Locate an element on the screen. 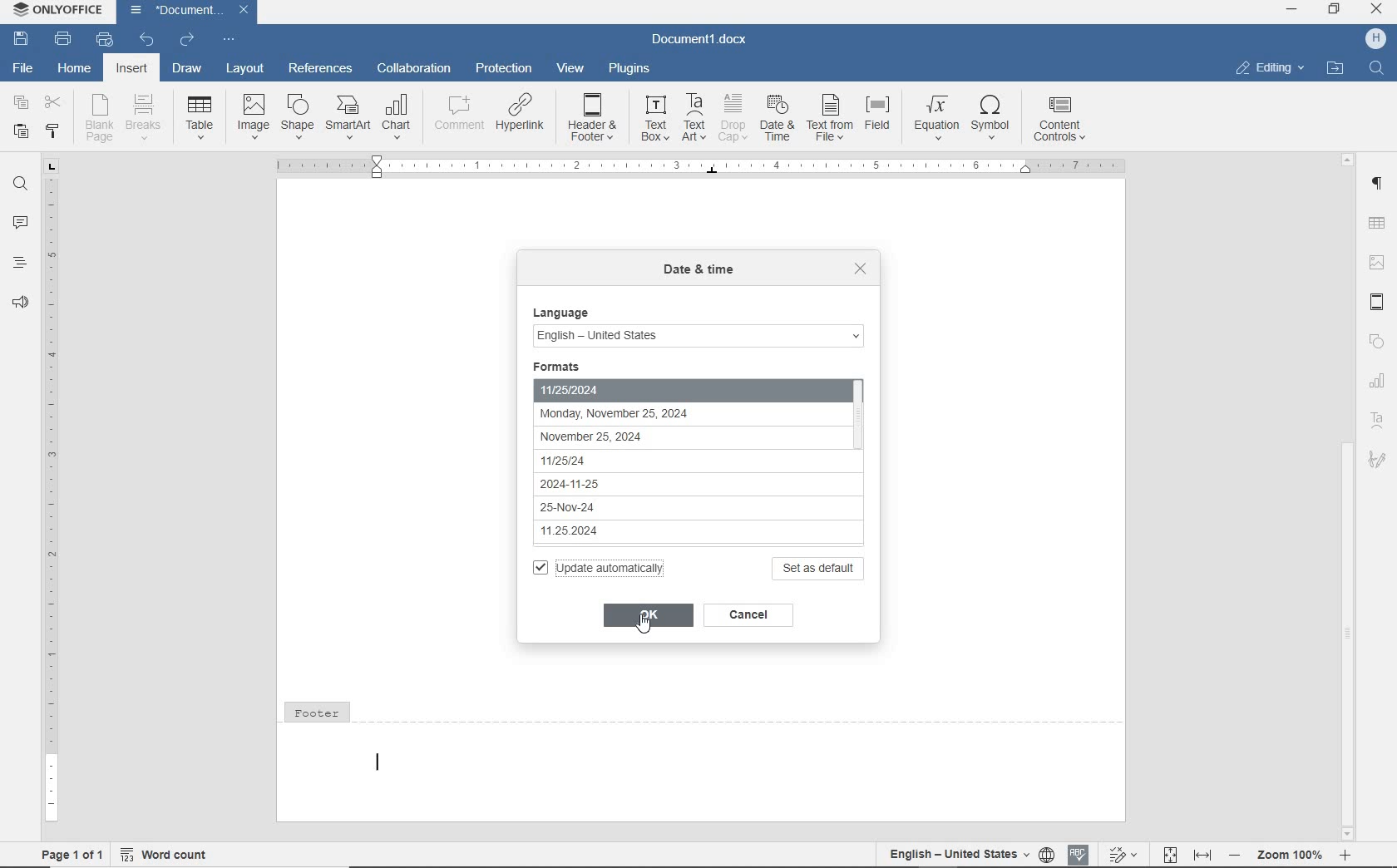  spell check is located at coordinates (1079, 856).